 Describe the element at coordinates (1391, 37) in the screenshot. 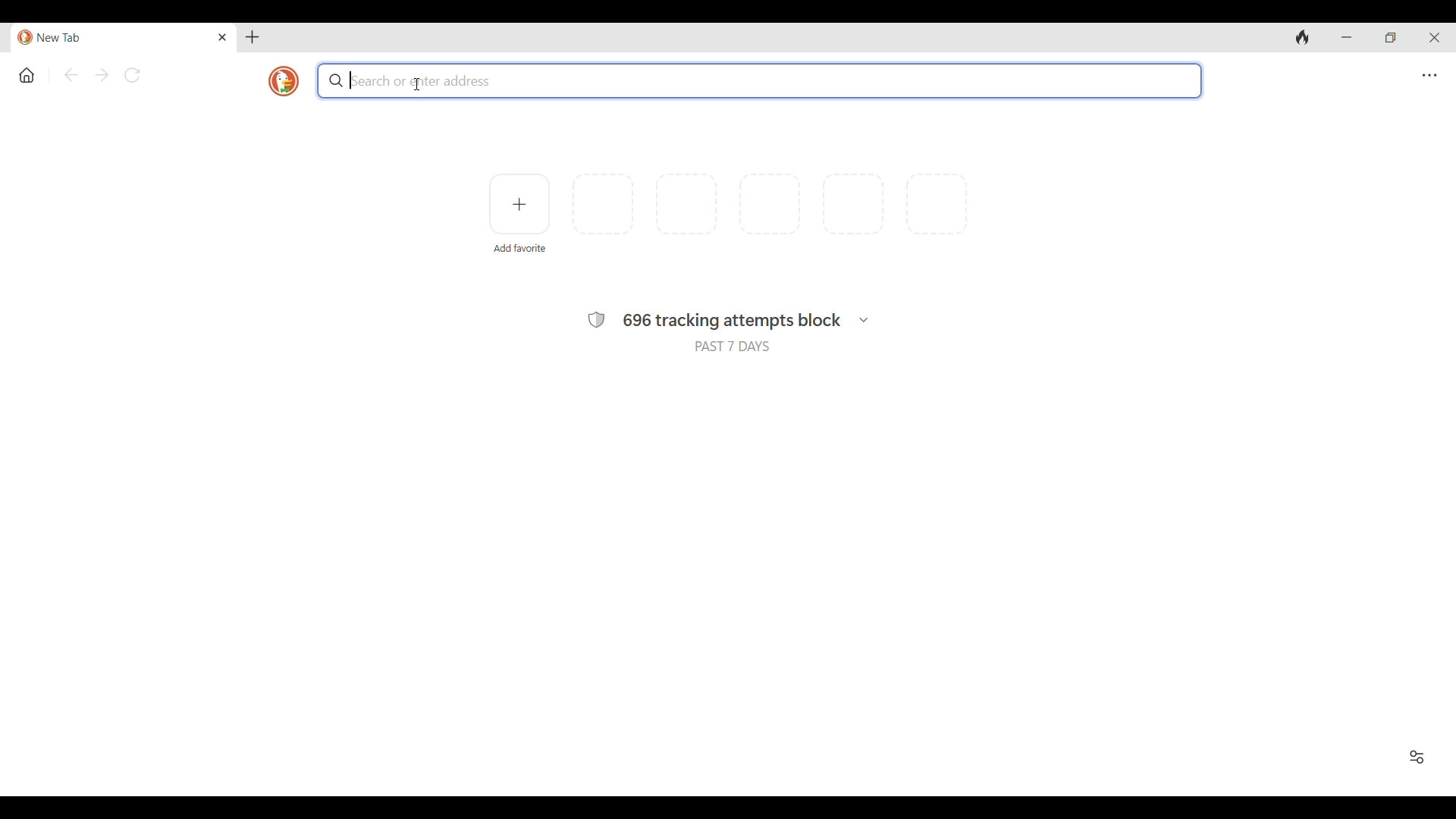

I see `Show interface in a smaller tab` at that location.